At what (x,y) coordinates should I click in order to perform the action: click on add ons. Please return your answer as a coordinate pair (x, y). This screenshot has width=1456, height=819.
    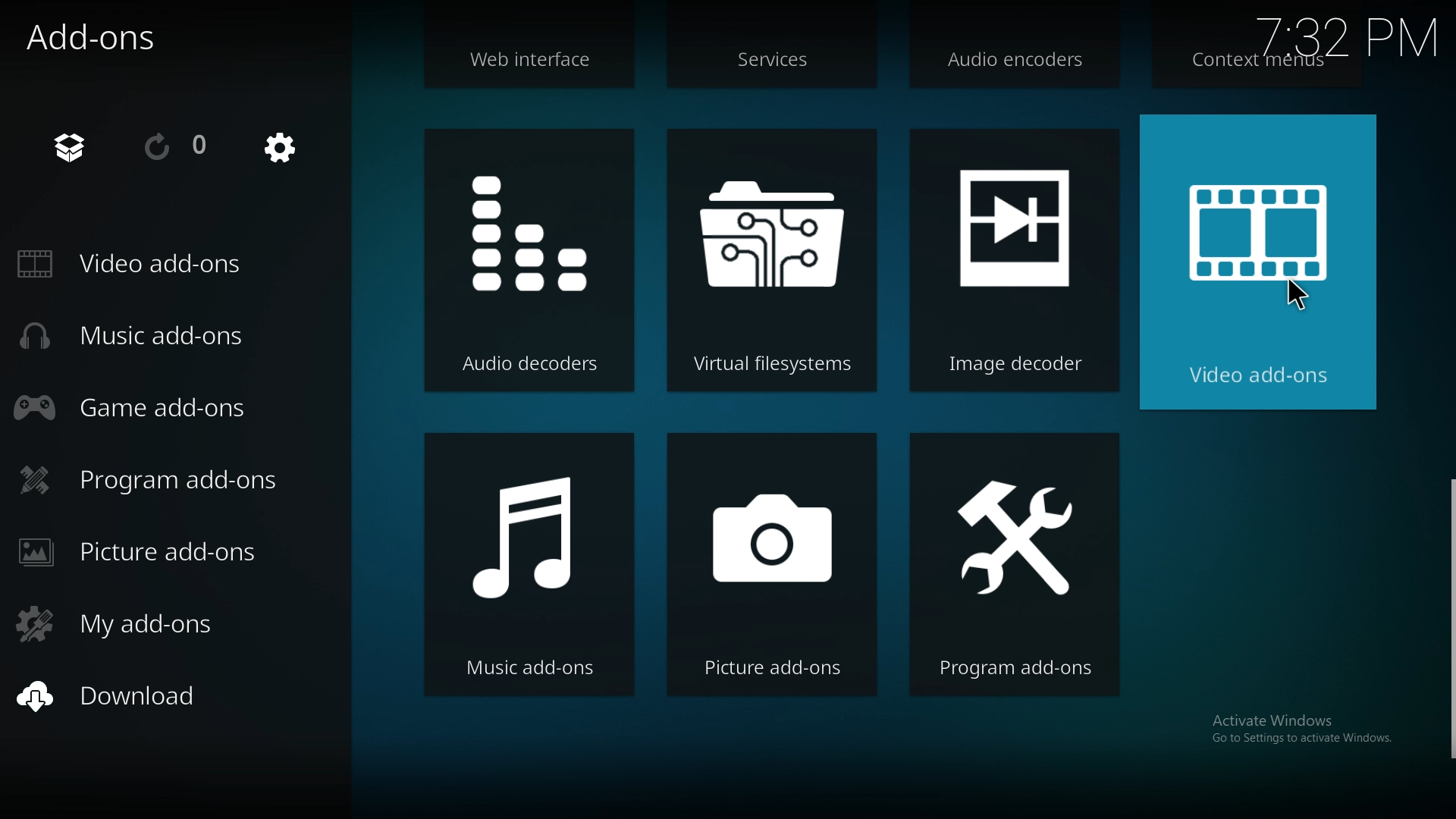
    Looking at the image, I should click on (103, 37).